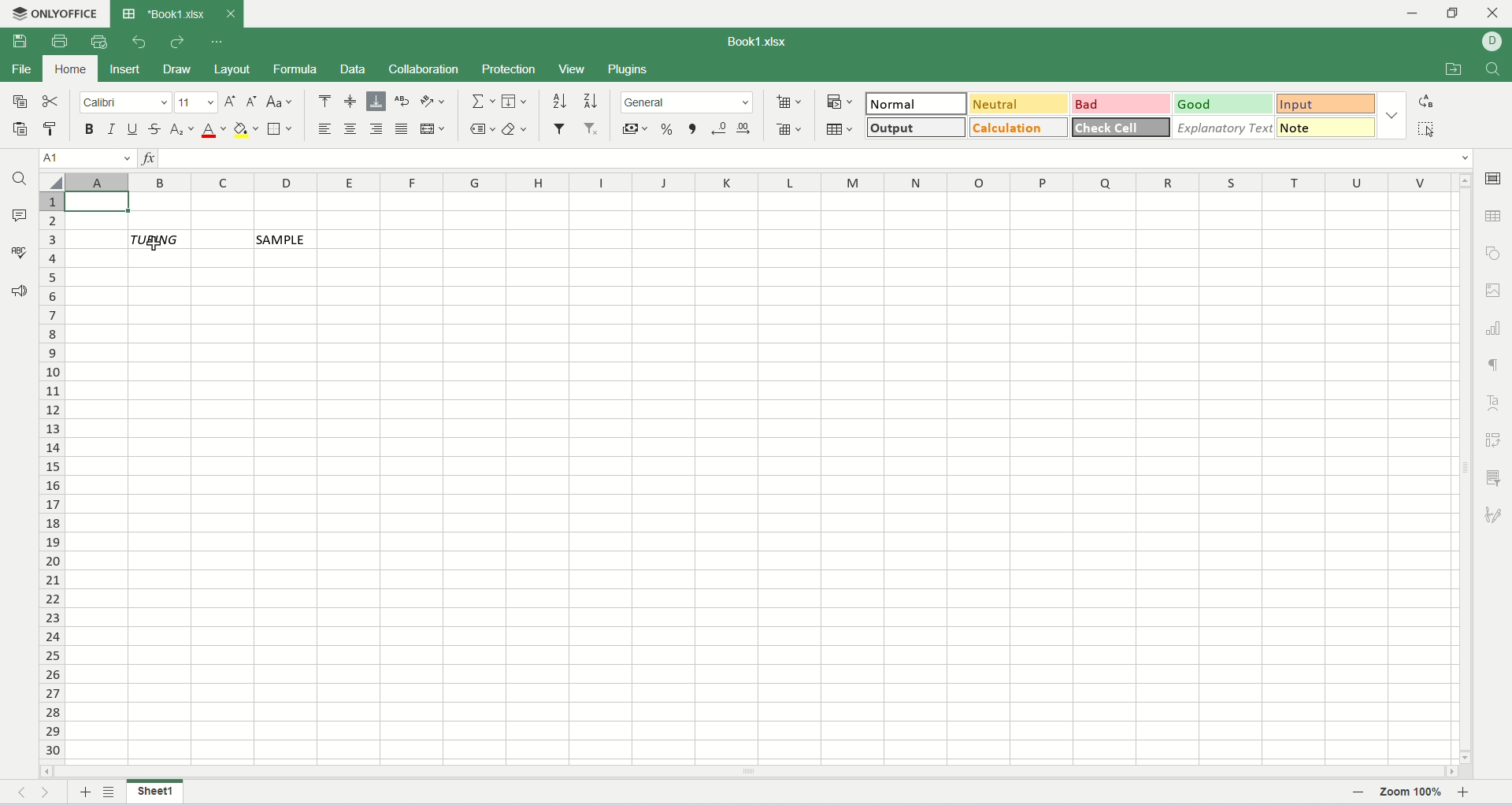  Describe the element at coordinates (841, 102) in the screenshot. I see `conditional formatting` at that location.